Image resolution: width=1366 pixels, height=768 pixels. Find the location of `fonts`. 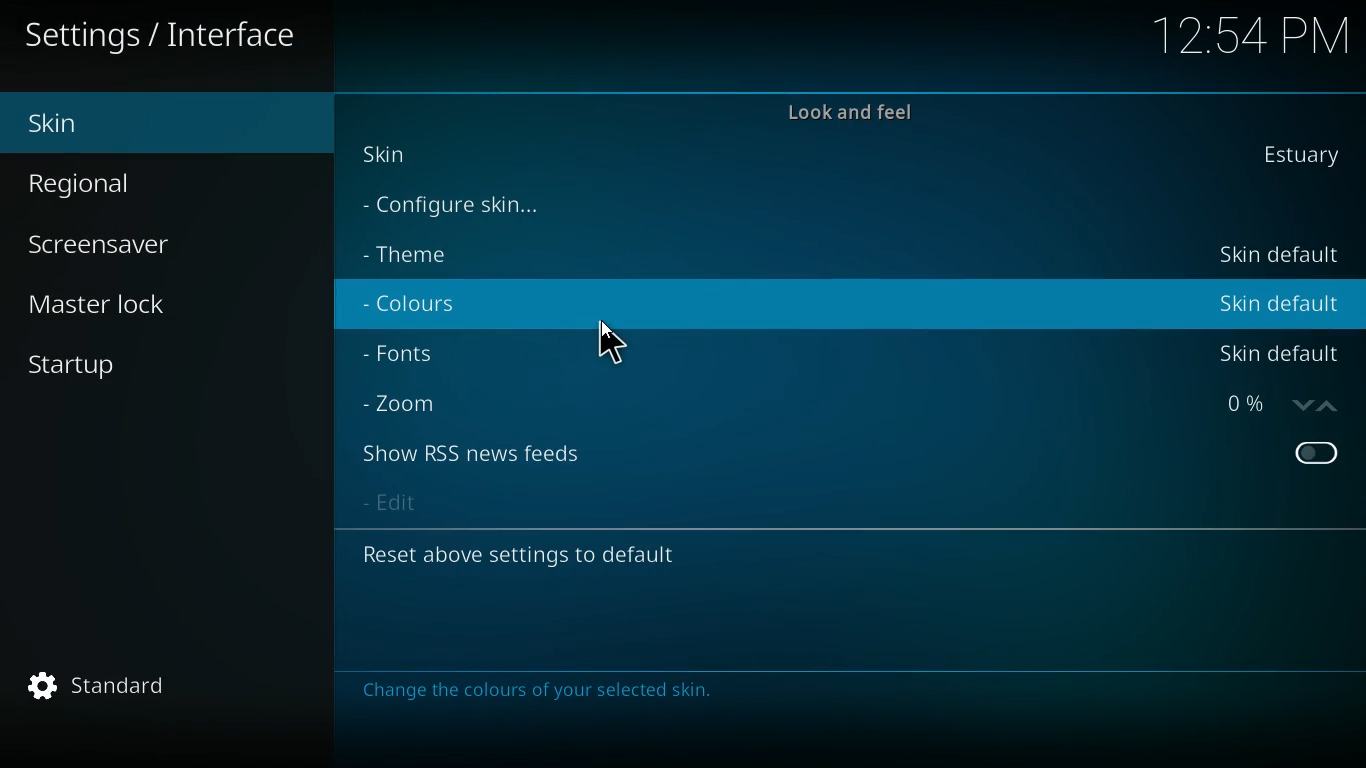

fonts is located at coordinates (416, 355).